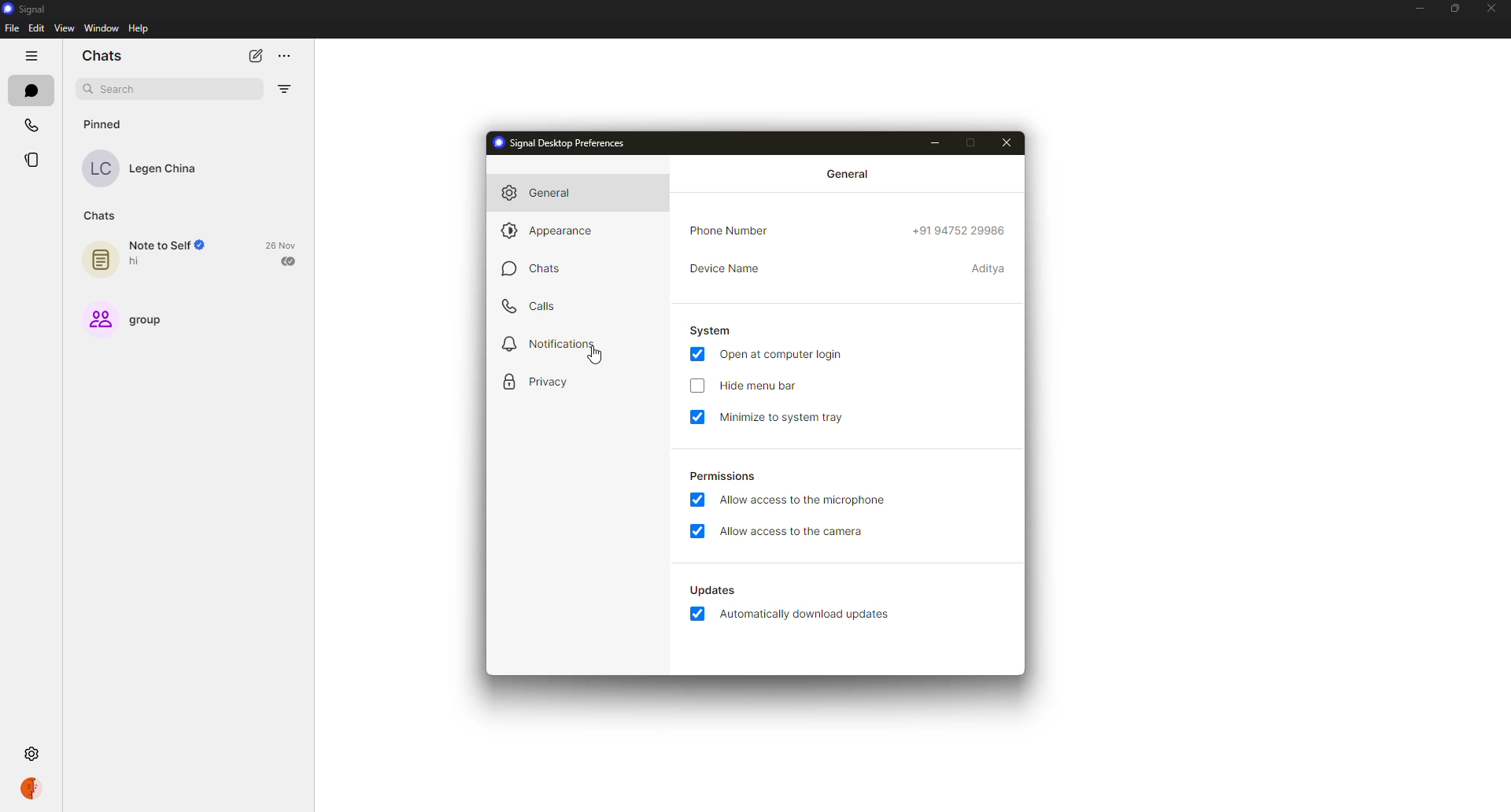  Describe the element at coordinates (708, 589) in the screenshot. I see `automatically download updates` at that location.